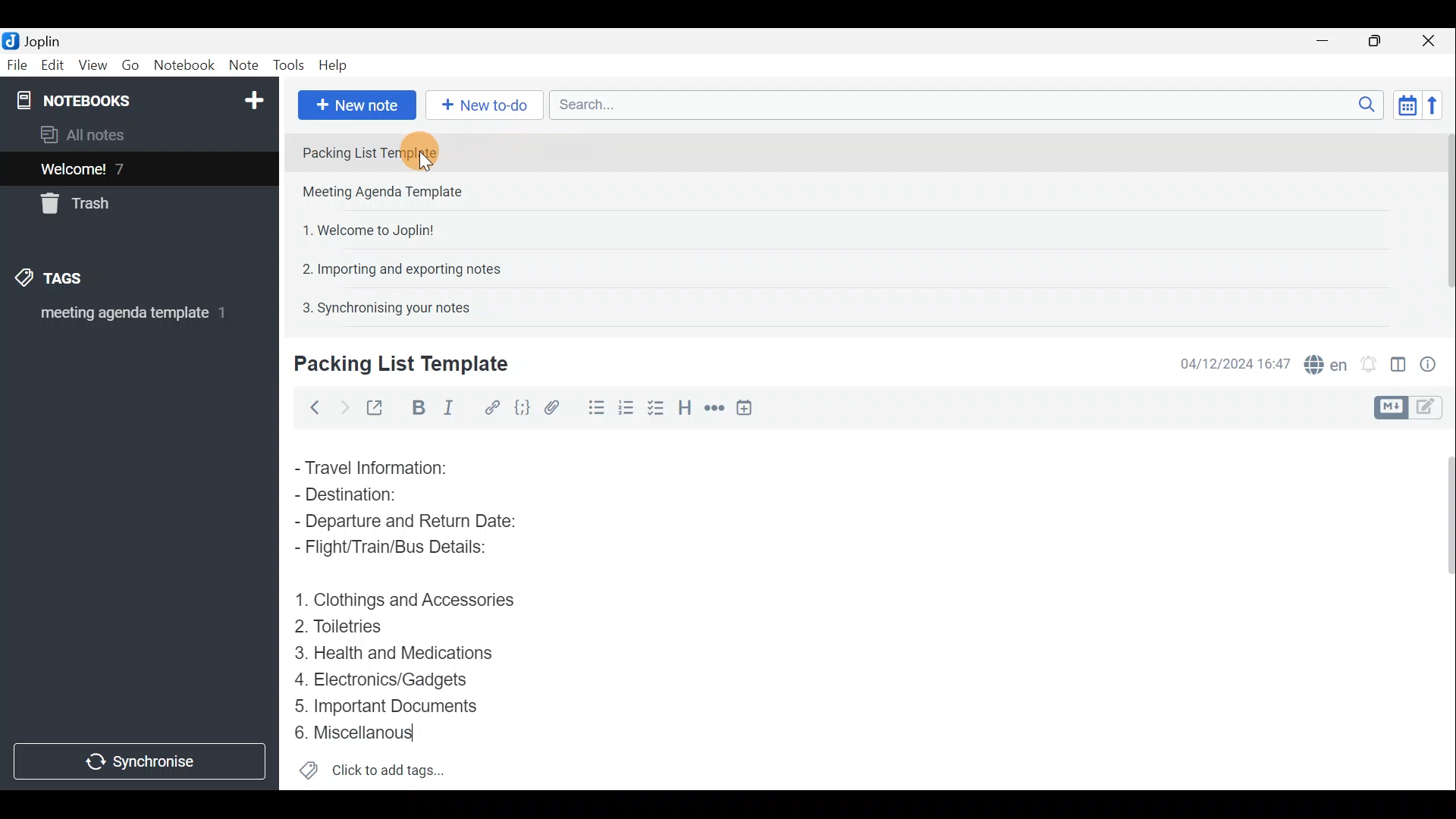  Describe the element at coordinates (408, 599) in the screenshot. I see `Clothings and Accessories` at that location.